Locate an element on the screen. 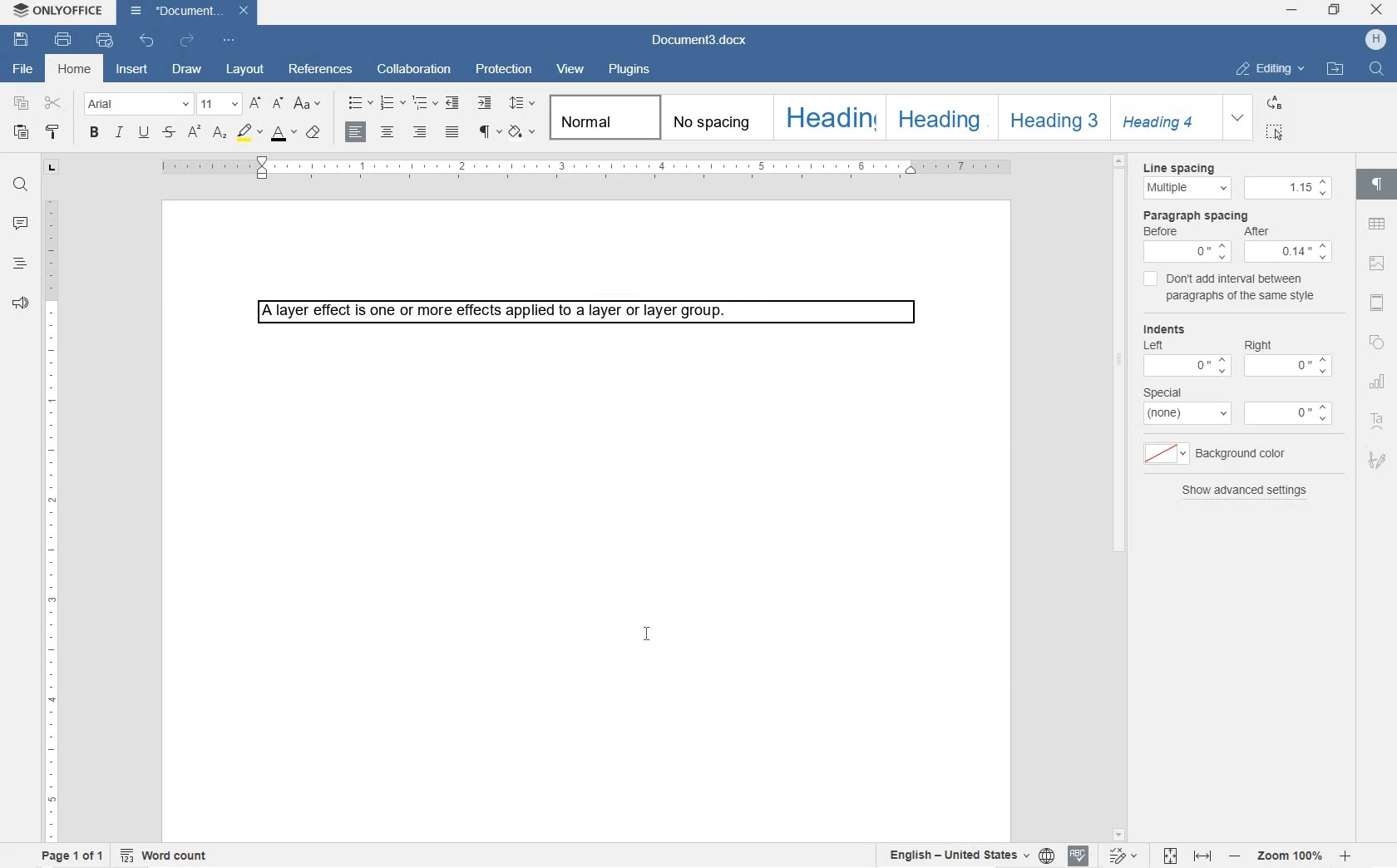  SCROLLBAR is located at coordinates (1119, 496).